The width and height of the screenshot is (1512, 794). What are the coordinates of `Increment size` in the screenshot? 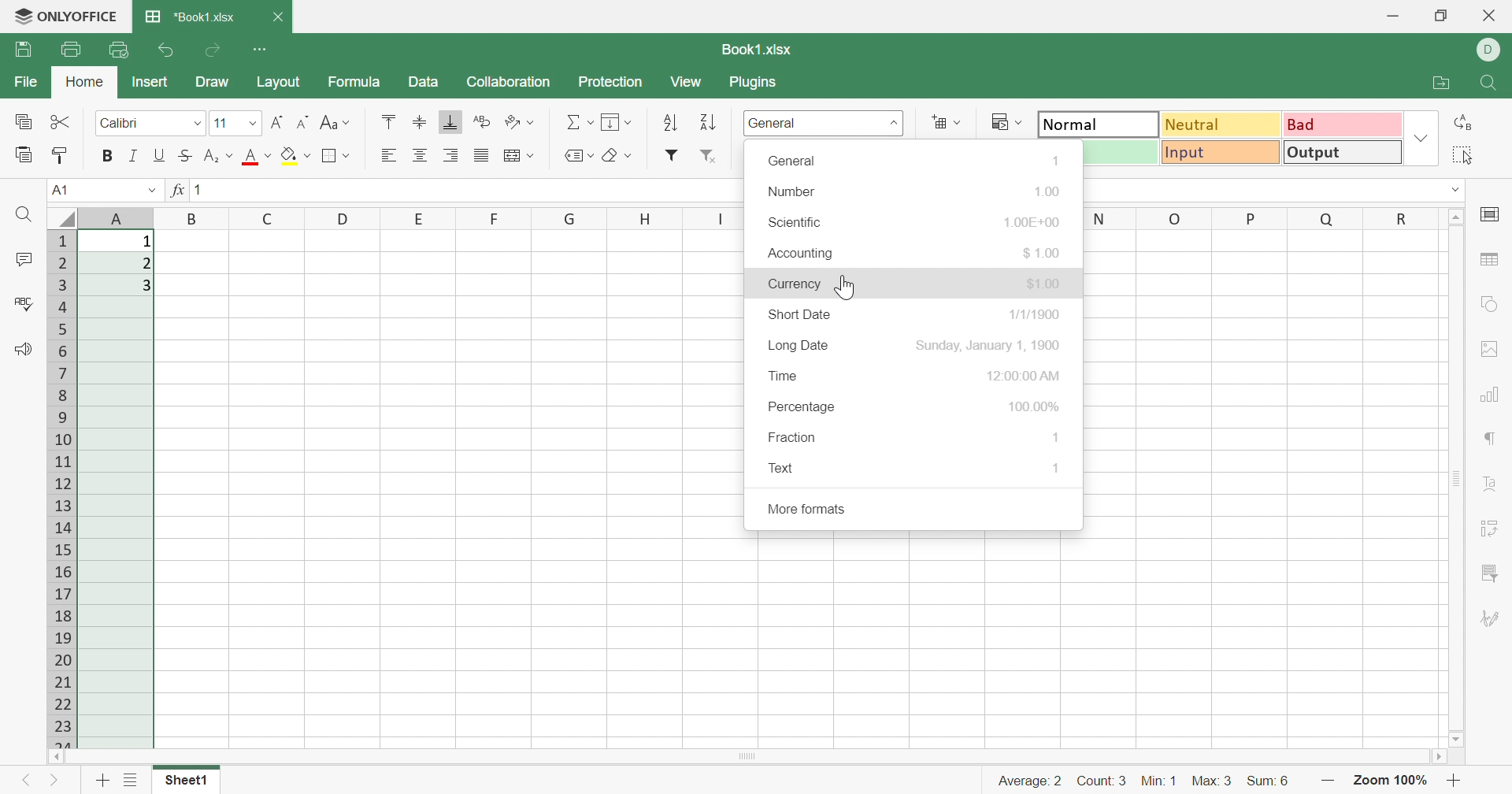 It's located at (305, 121).